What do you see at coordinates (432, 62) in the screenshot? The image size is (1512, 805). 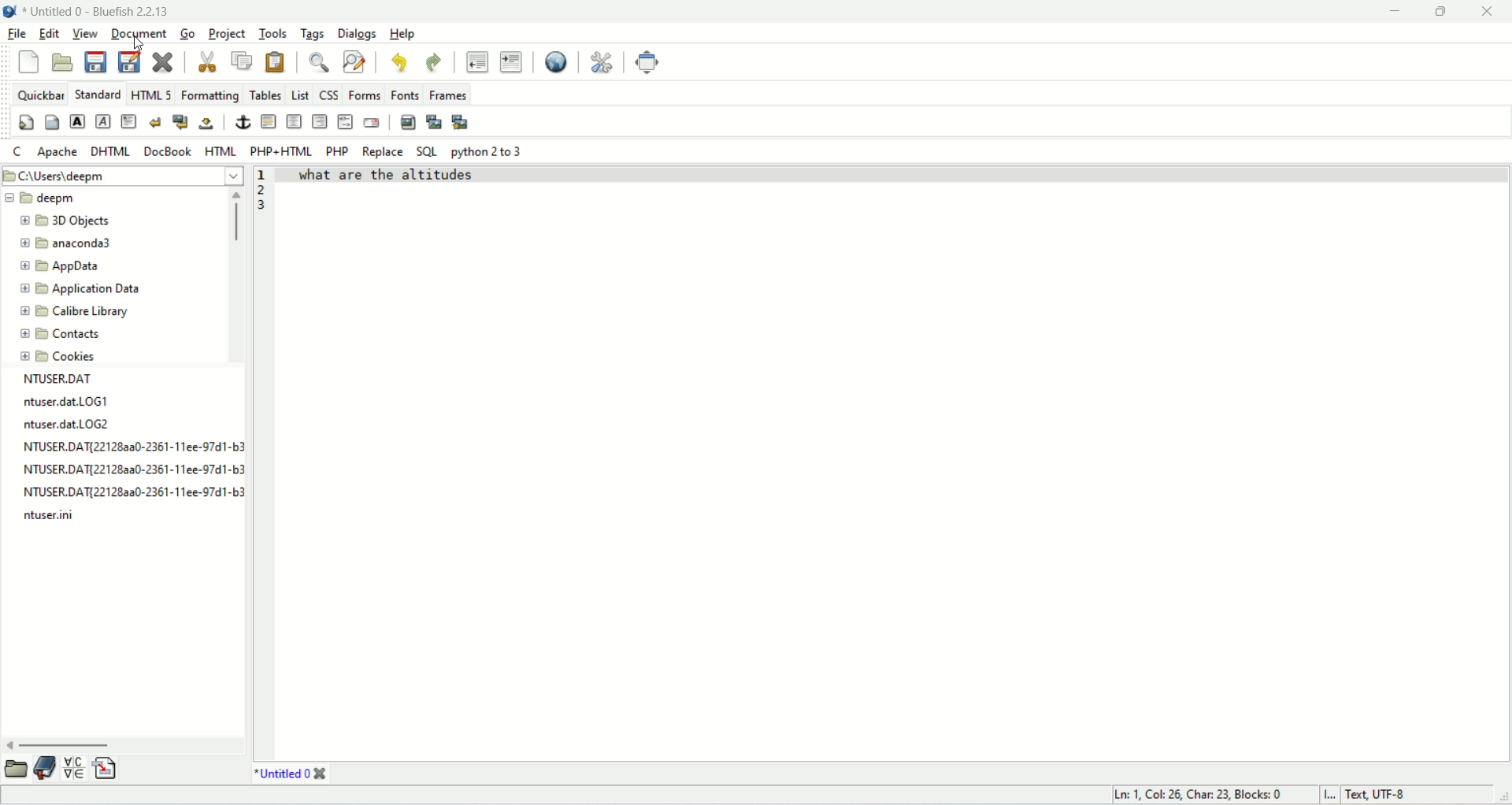 I see `redo` at bounding box center [432, 62].